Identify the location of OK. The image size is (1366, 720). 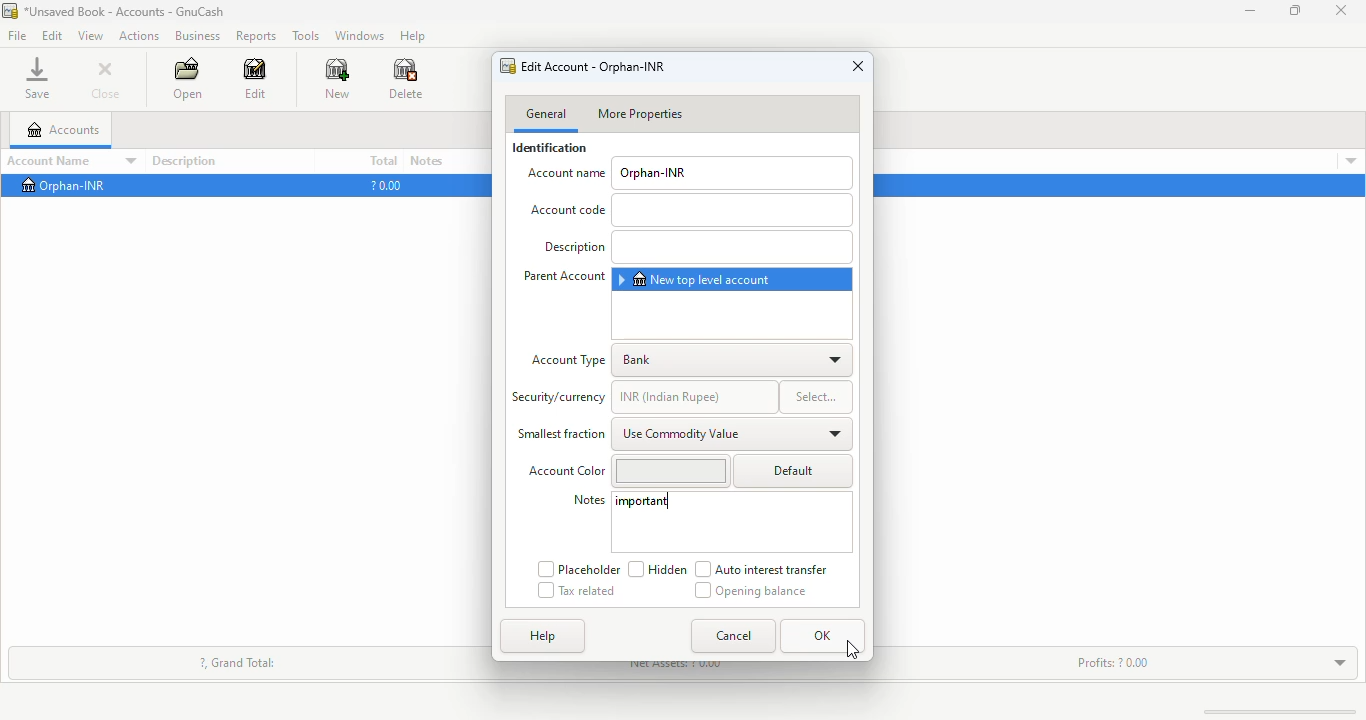
(823, 637).